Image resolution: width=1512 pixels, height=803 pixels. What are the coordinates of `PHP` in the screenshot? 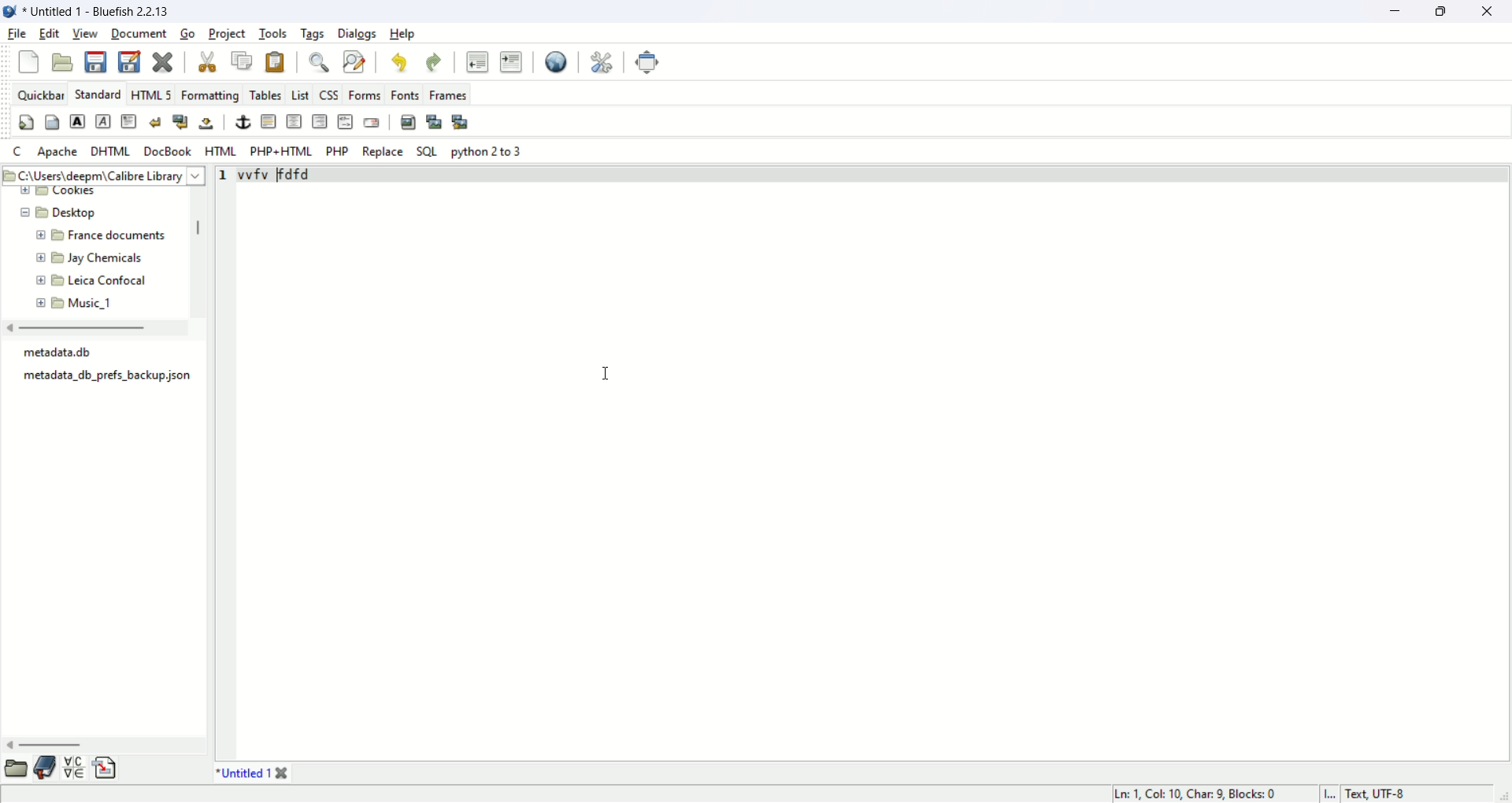 It's located at (336, 154).